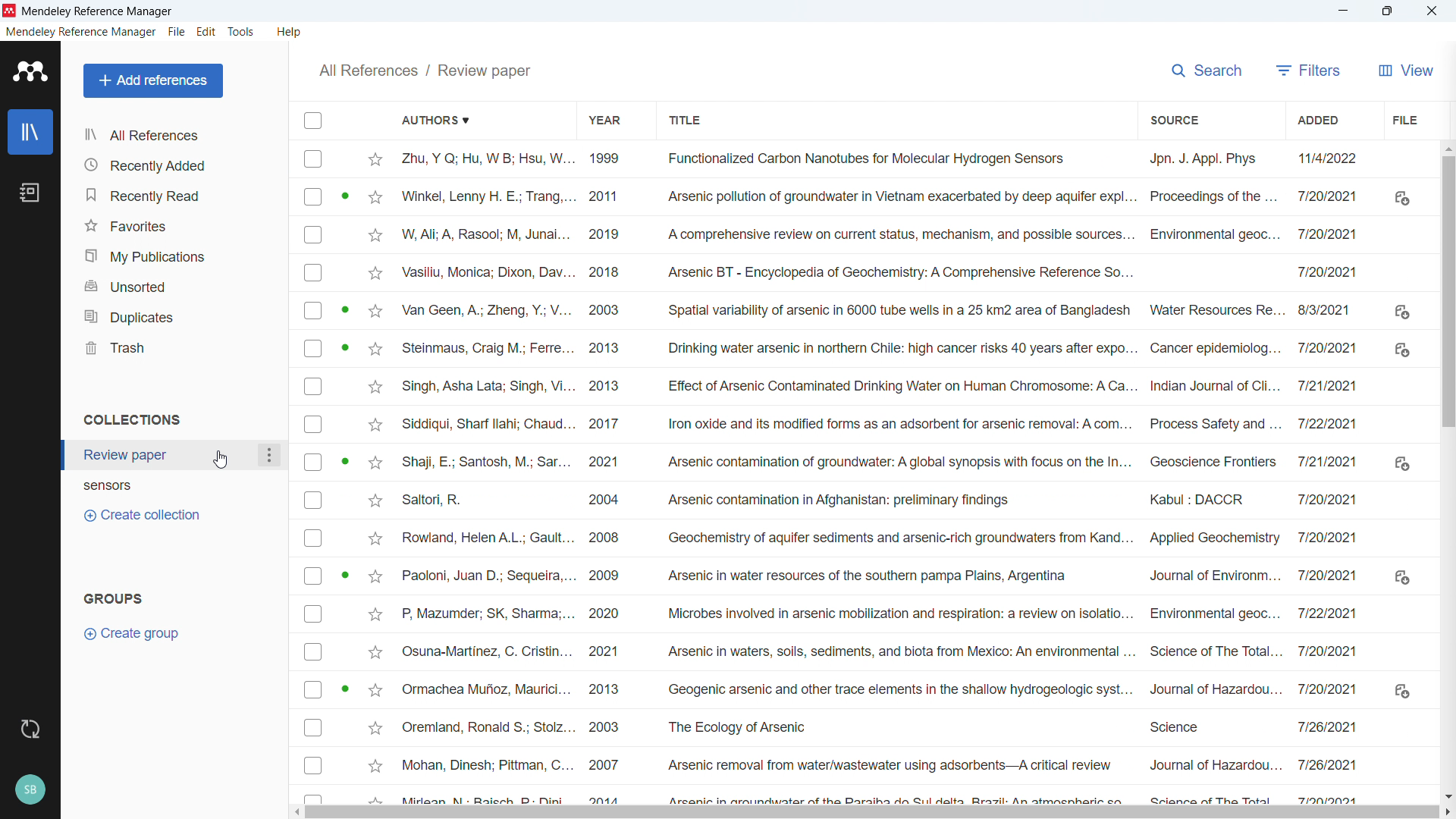  Describe the element at coordinates (1214, 475) in the screenshot. I see `Source of individual entries ` at that location.